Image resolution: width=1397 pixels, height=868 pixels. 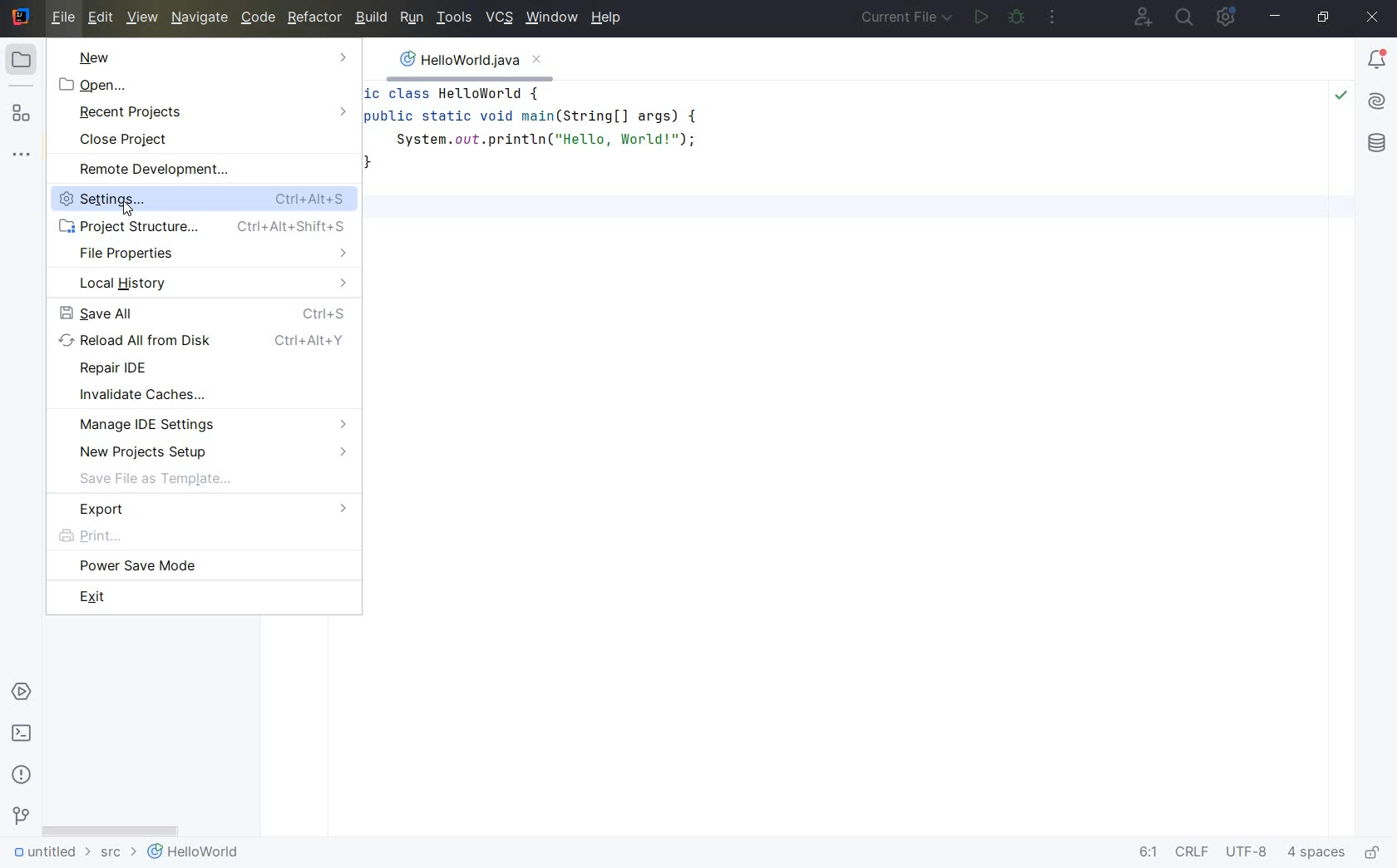 What do you see at coordinates (205, 596) in the screenshot?
I see `EXIT` at bounding box center [205, 596].